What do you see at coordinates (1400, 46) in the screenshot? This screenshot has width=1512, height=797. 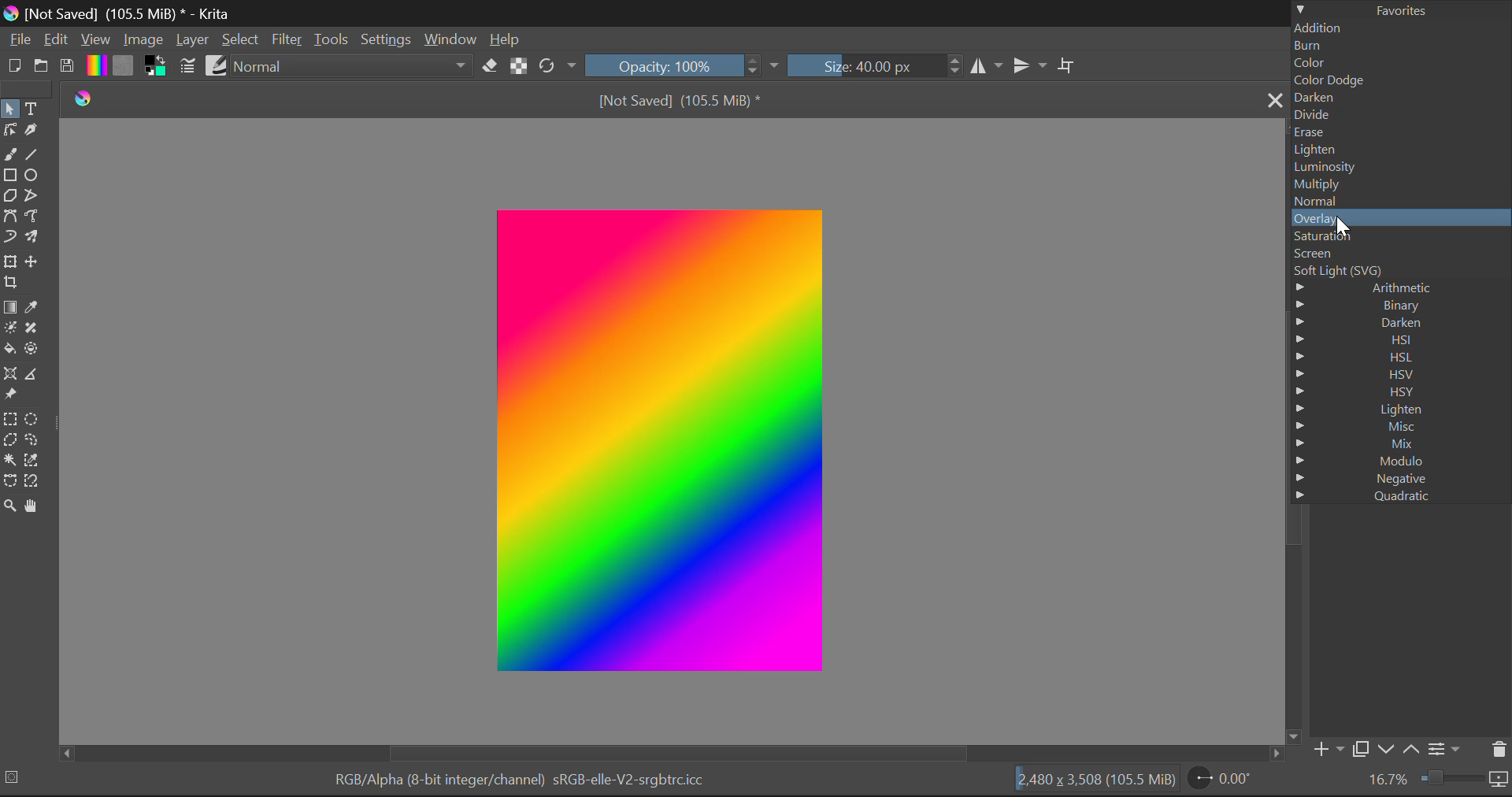 I see `Burn` at bounding box center [1400, 46].